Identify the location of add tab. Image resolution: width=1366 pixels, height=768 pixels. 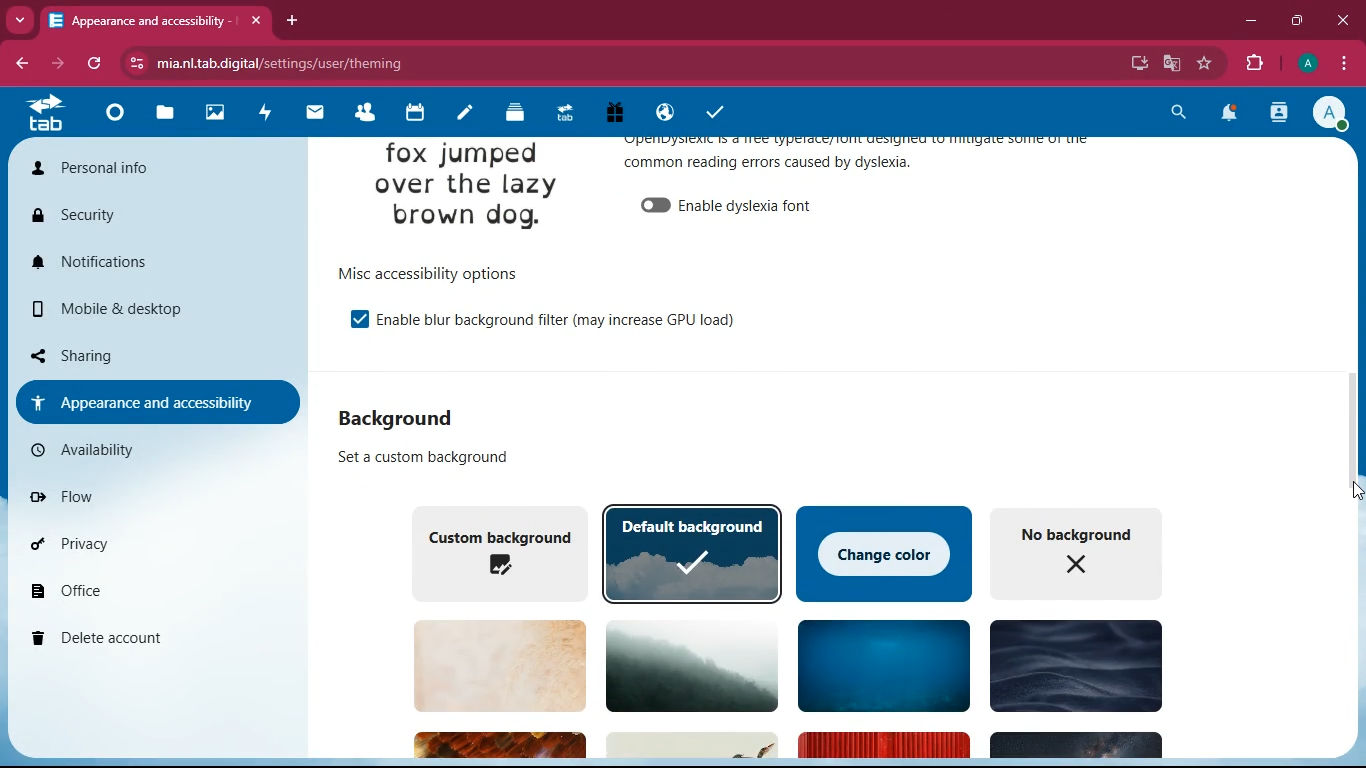
(289, 20).